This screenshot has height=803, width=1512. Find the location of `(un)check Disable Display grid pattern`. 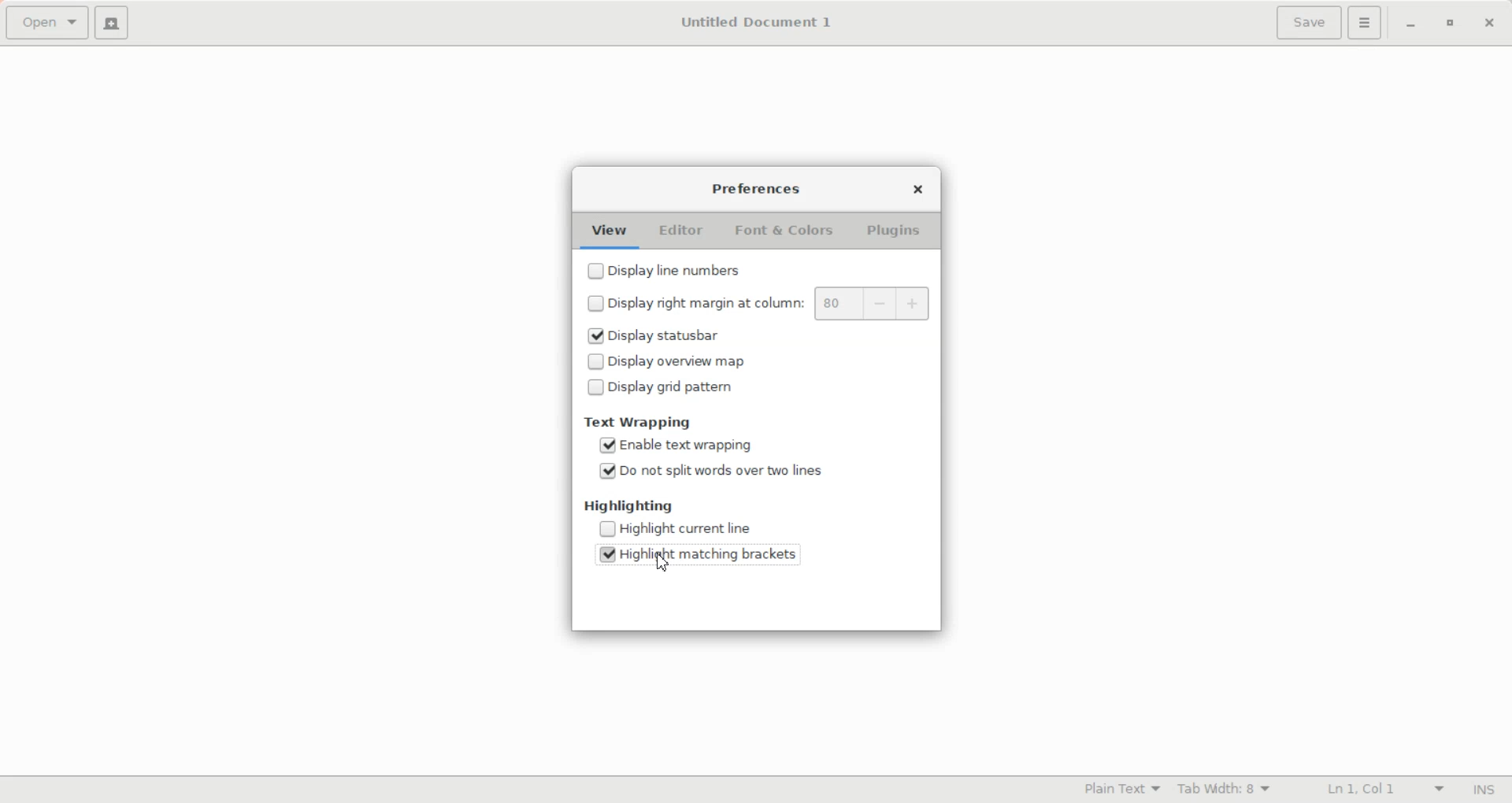

(un)check Disable Display grid pattern is located at coordinates (721, 386).